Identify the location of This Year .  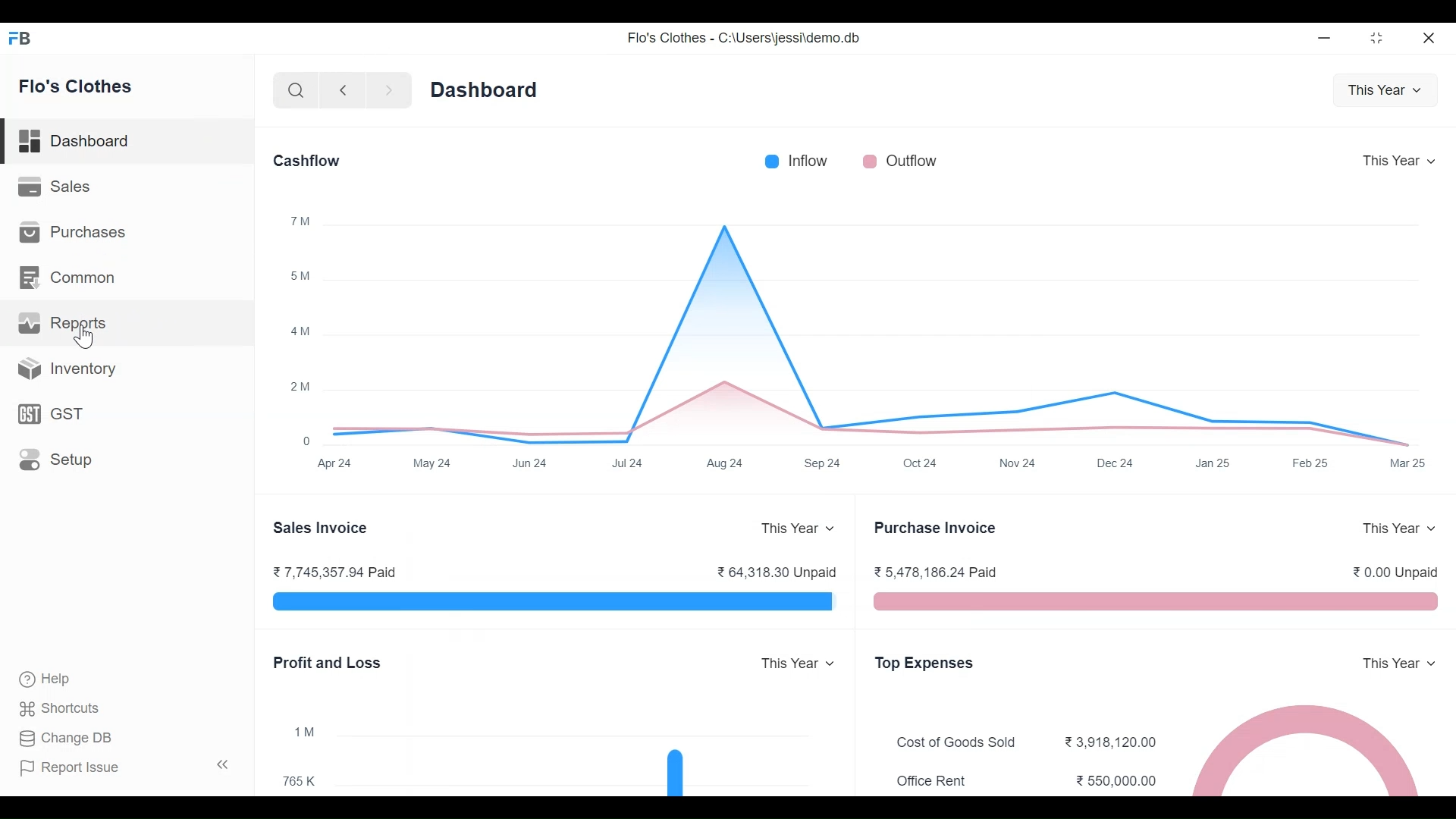
(1401, 162).